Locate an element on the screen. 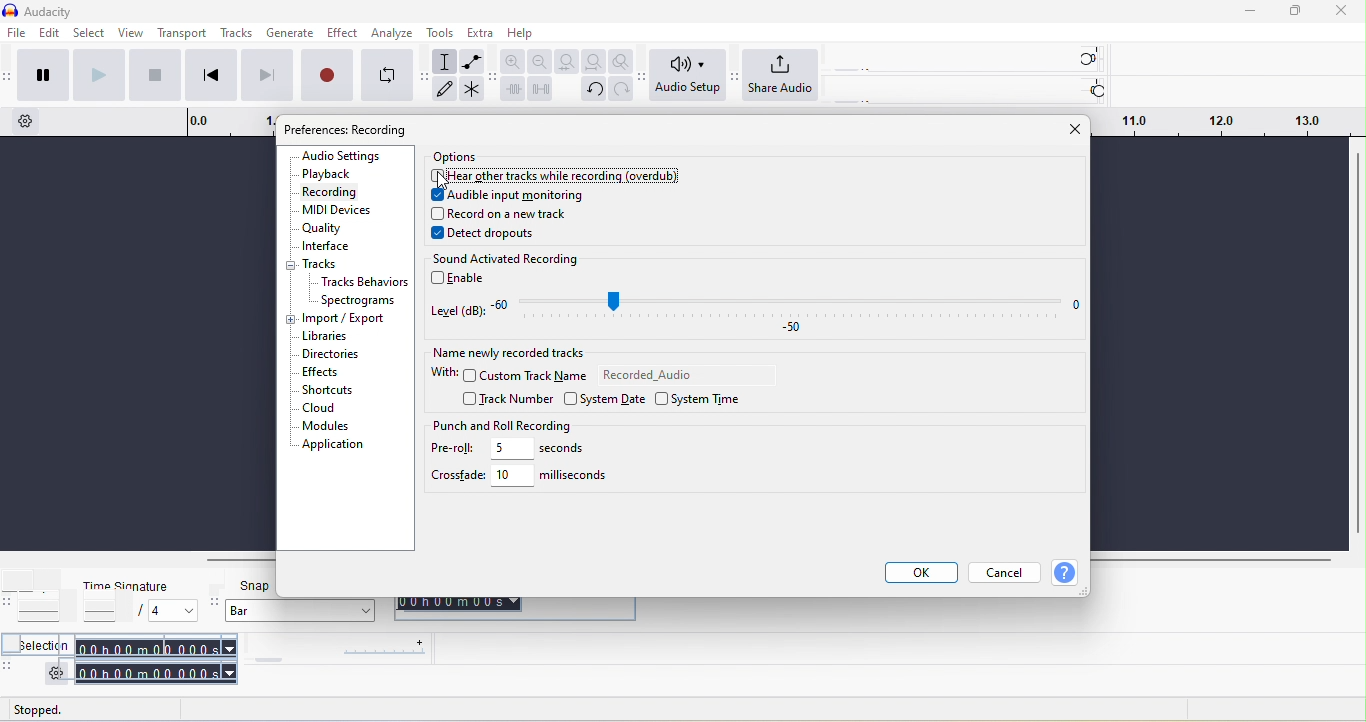 This screenshot has height=722, width=1366. 10 miliseconds is located at coordinates (550, 476).